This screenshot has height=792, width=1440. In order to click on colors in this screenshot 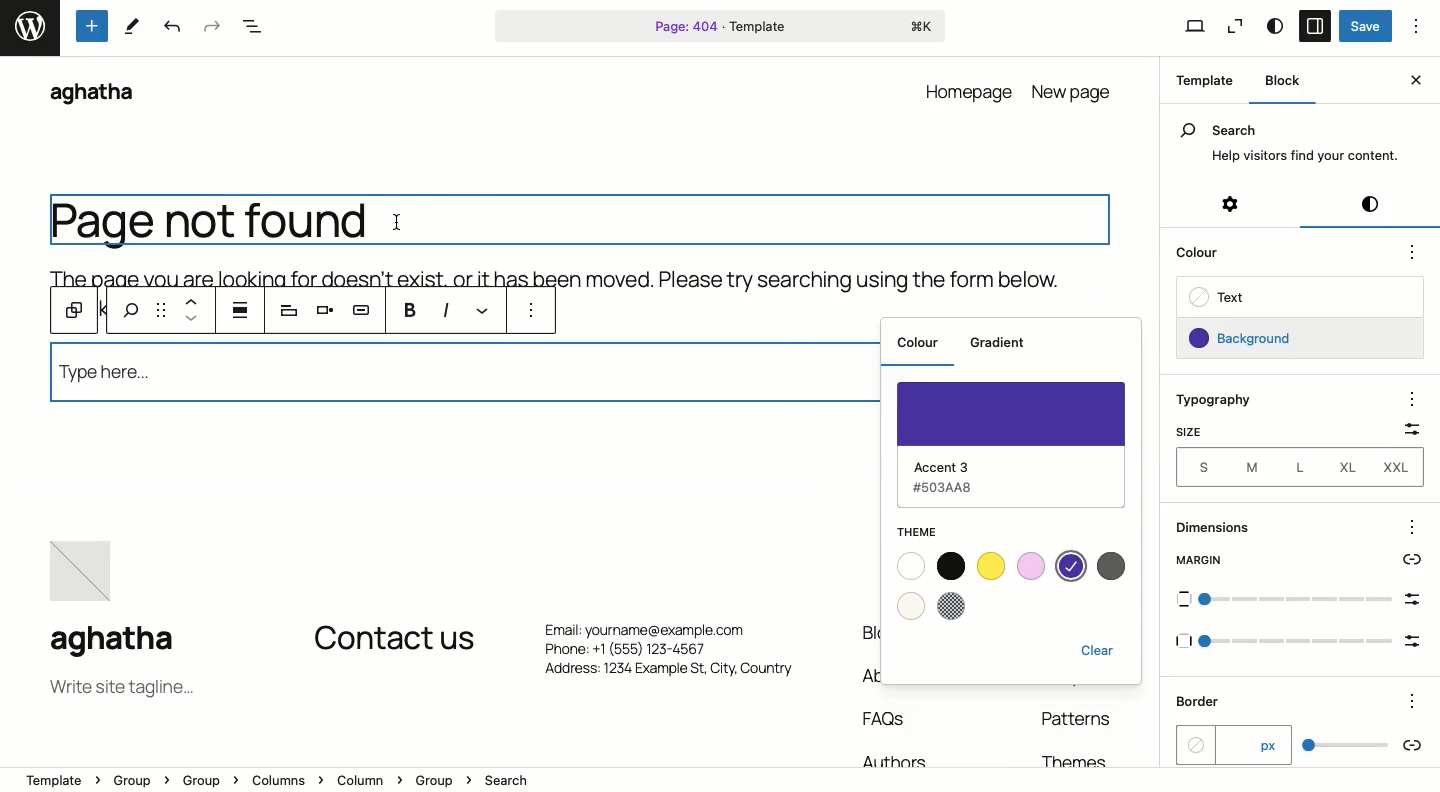, I will do `click(1112, 566)`.